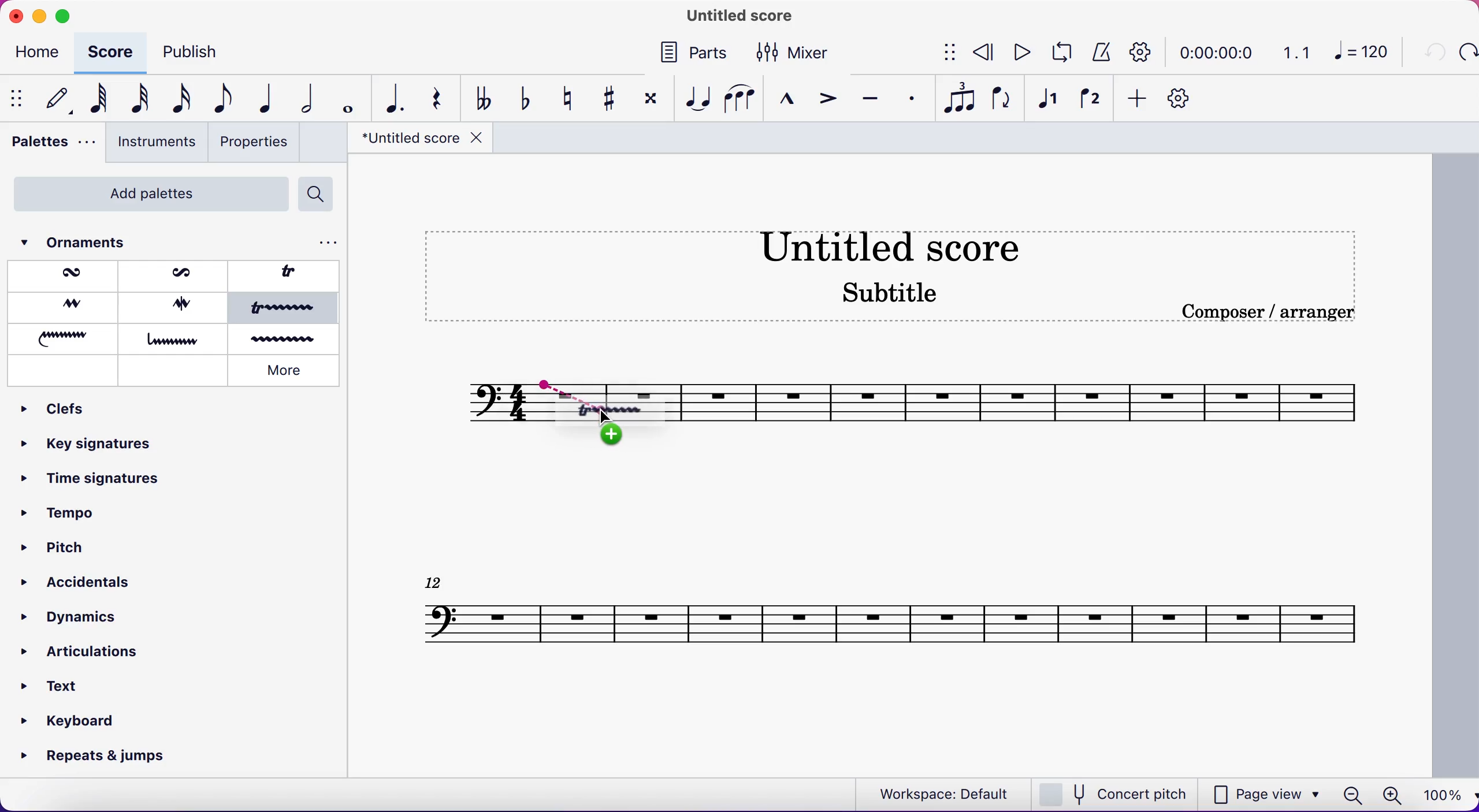 The height and width of the screenshot is (812, 1479). What do you see at coordinates (67, 276) in the screenshot?
I see `mordent` at bounding box center [67, 276].